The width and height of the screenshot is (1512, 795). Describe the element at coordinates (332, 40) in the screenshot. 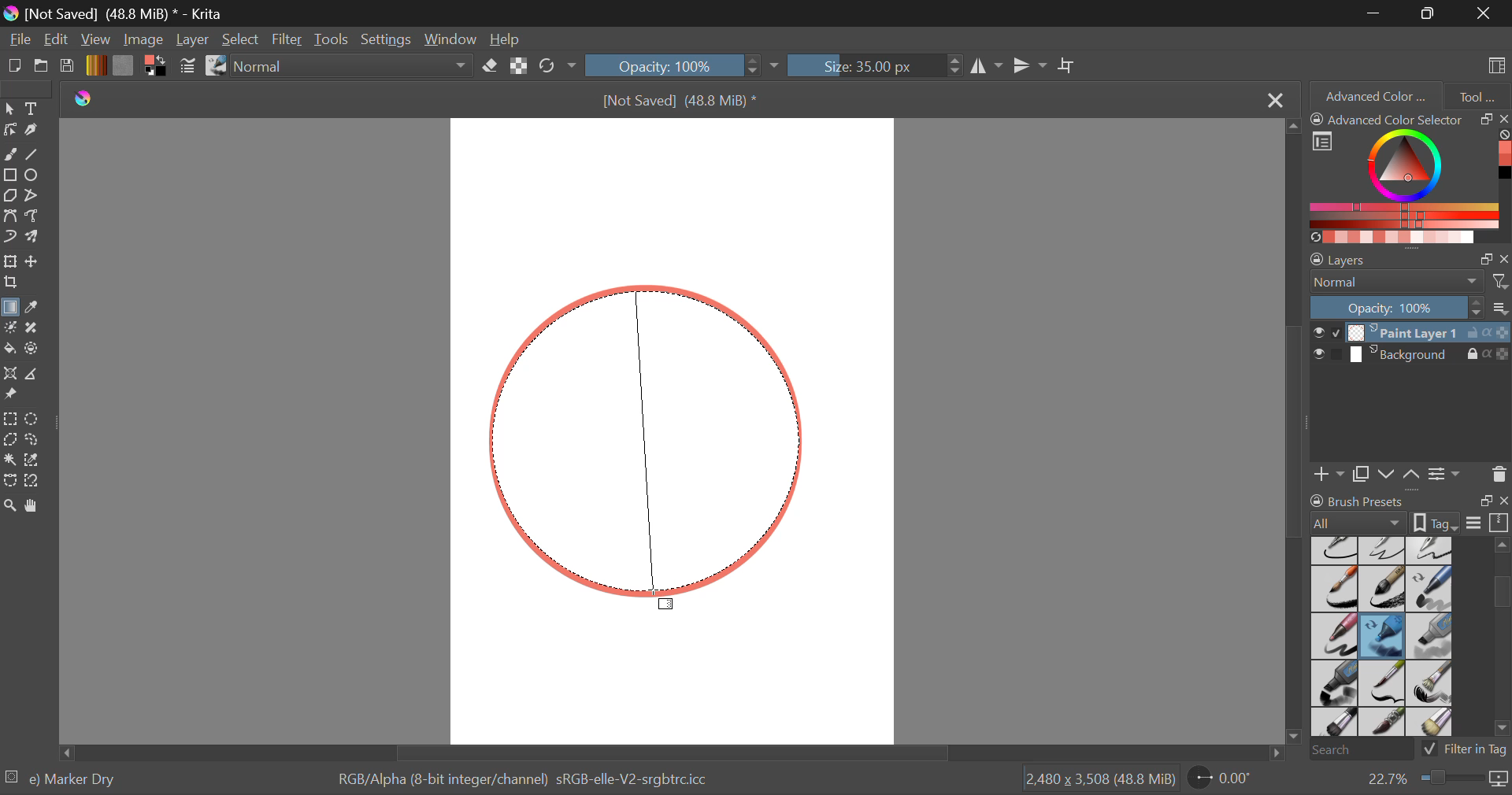

I see `Tools` at that location.